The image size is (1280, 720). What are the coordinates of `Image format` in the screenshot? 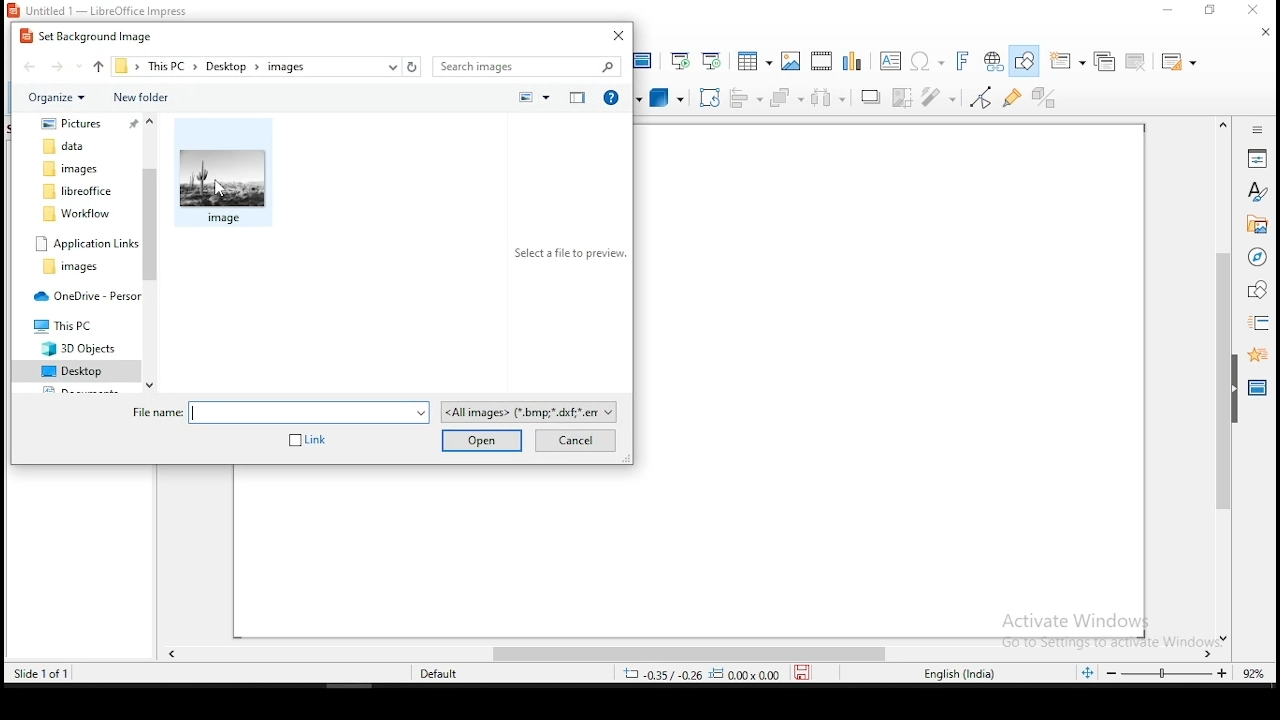 It's located at (531, 412).